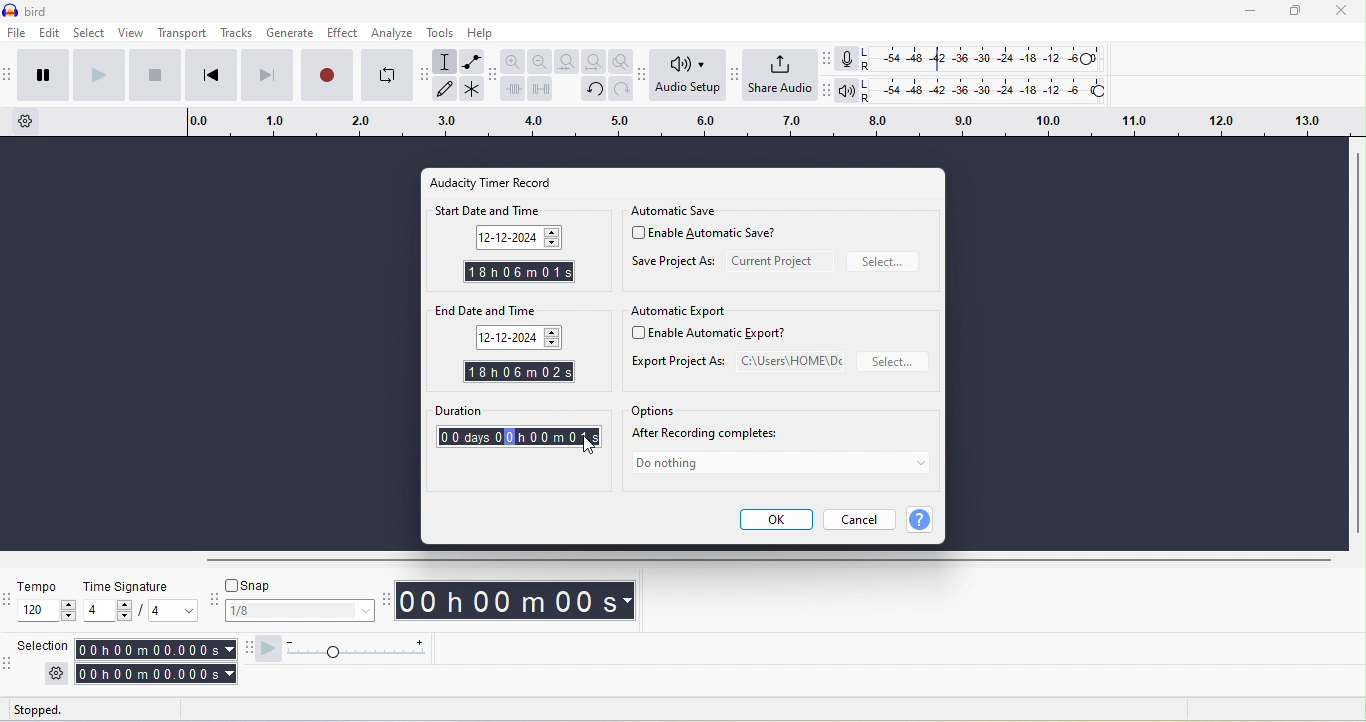 Image resolution: width=1366 pixels, height=722 pixels. I want to click on fit project to width, so click(596, 61).